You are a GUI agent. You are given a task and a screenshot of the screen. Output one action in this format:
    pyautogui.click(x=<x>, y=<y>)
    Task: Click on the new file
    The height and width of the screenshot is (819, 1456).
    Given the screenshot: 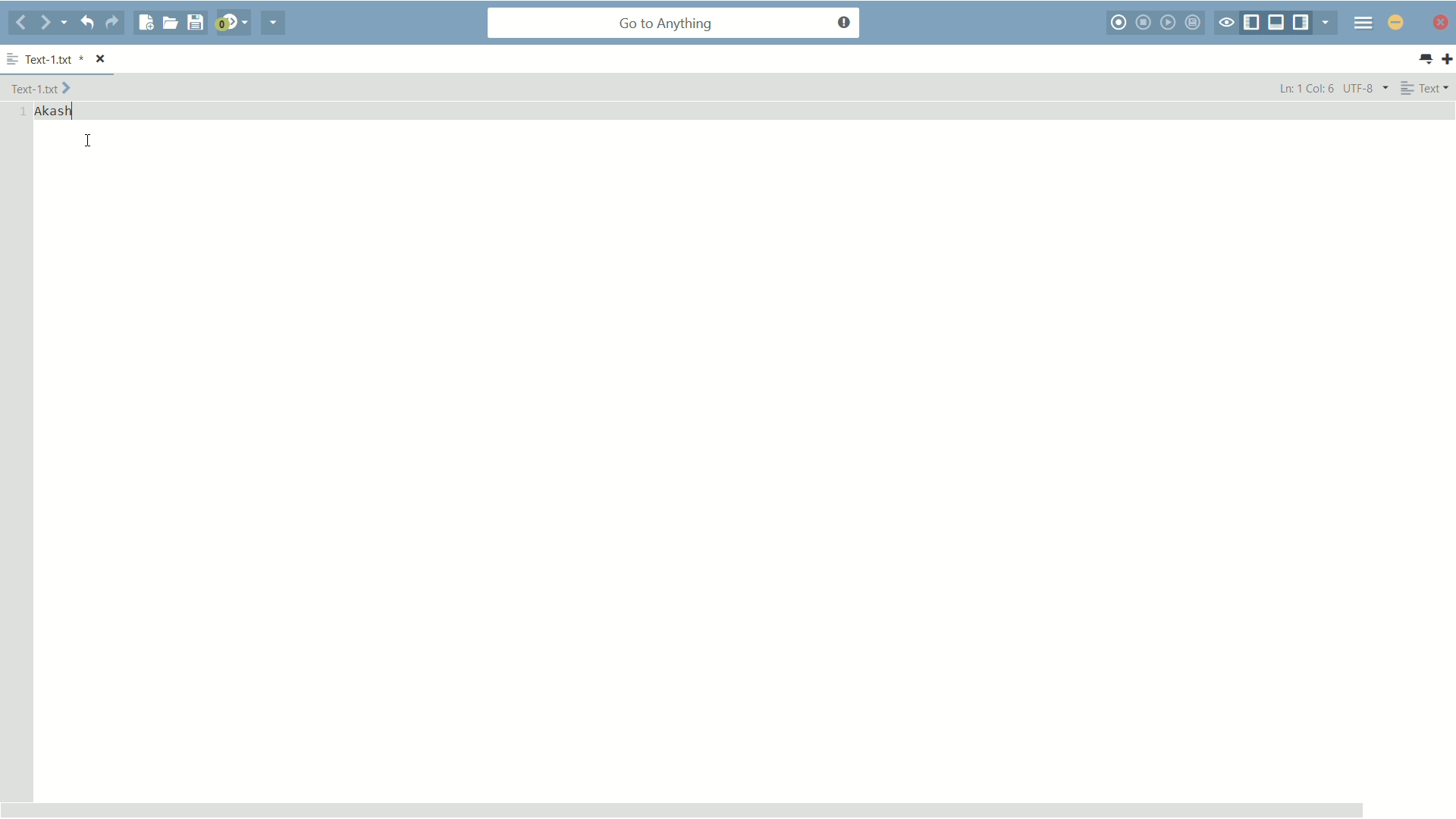 What is the action you would take?
    pyautogui.click(x=145, y=23)
    